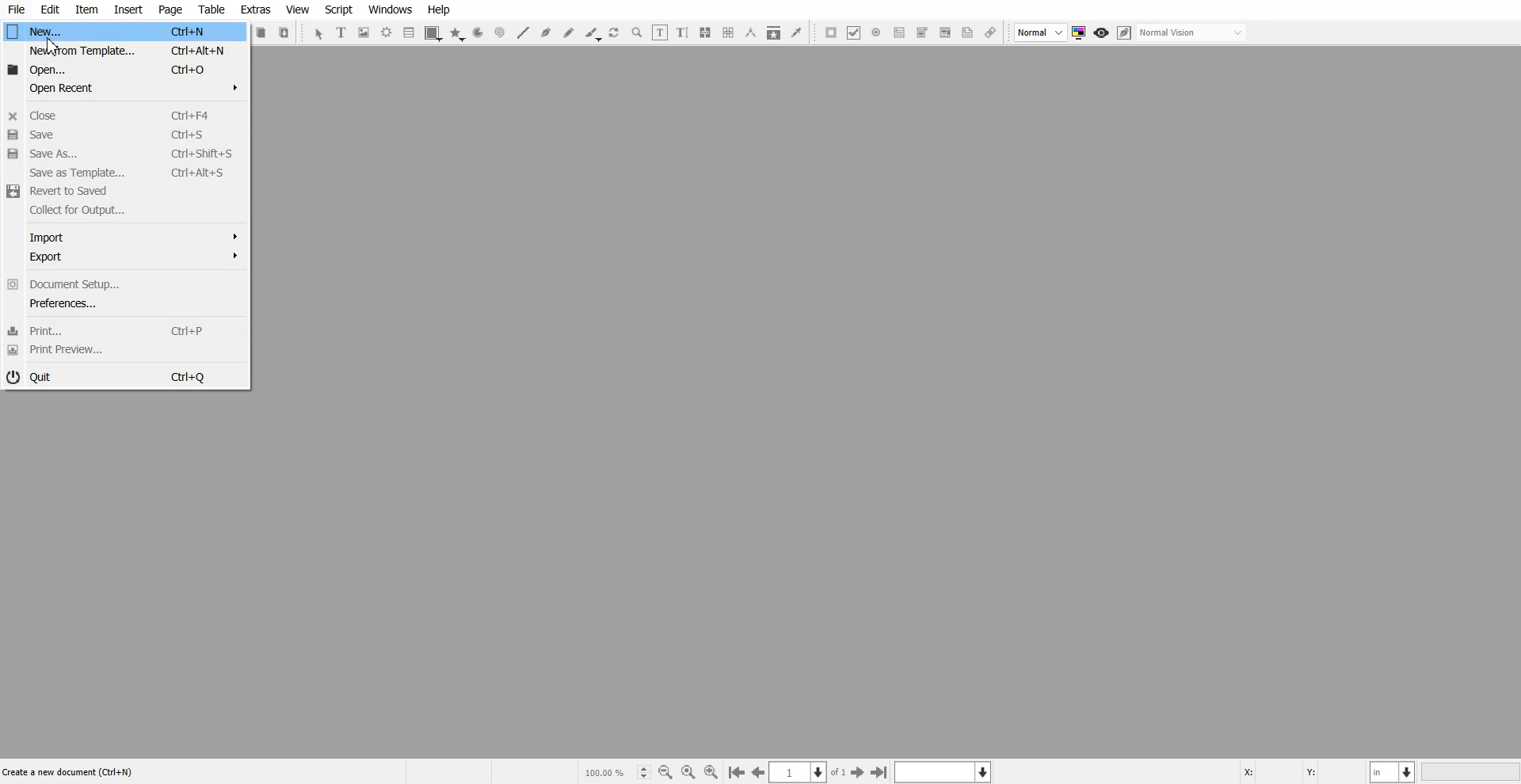 This screenshot has height=784, width=1521. Describe the element at coordinates (297, 10) in the screenshot. I see `View` at that location.